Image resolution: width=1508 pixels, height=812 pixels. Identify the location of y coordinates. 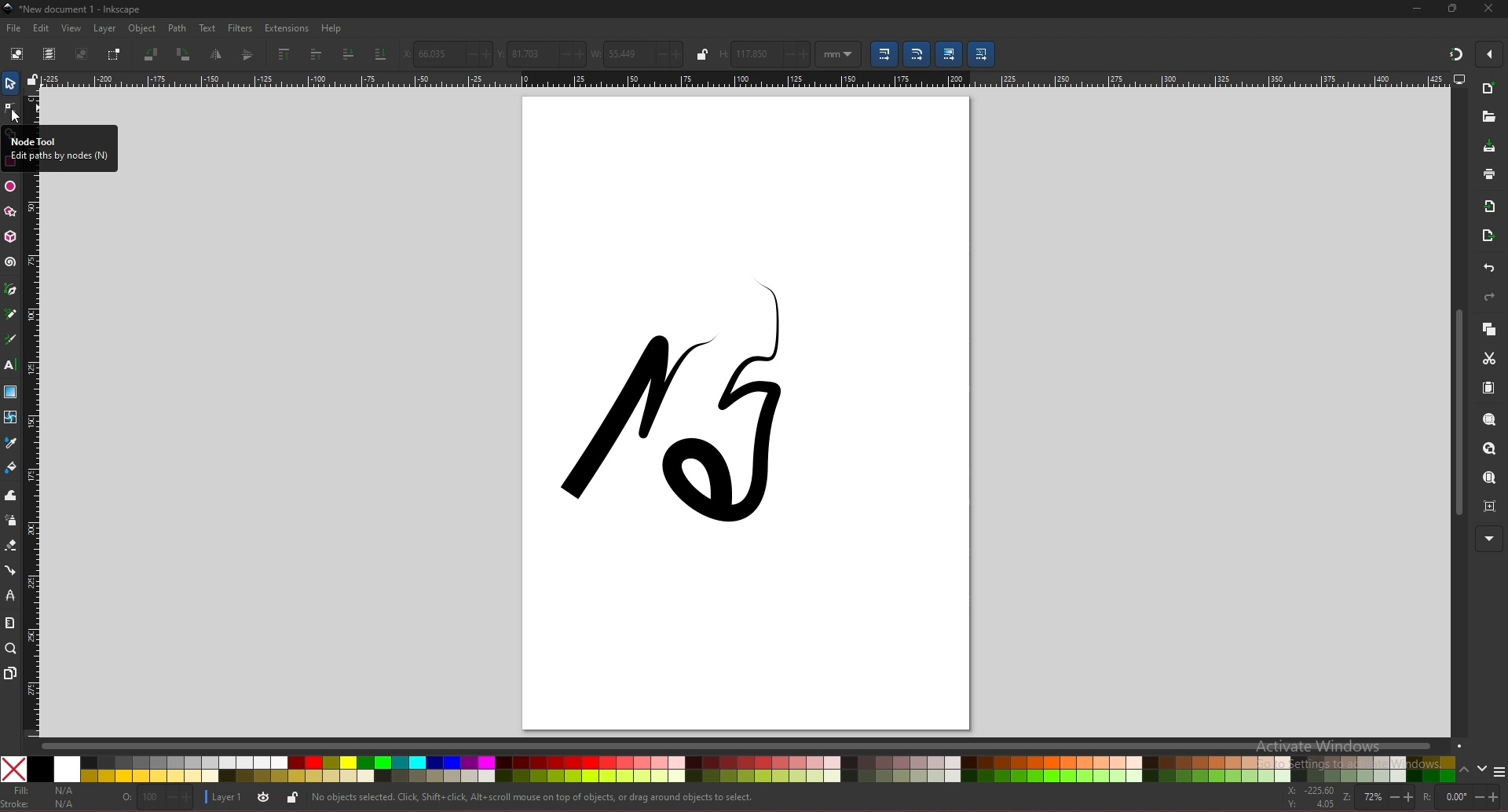
(540, 53).